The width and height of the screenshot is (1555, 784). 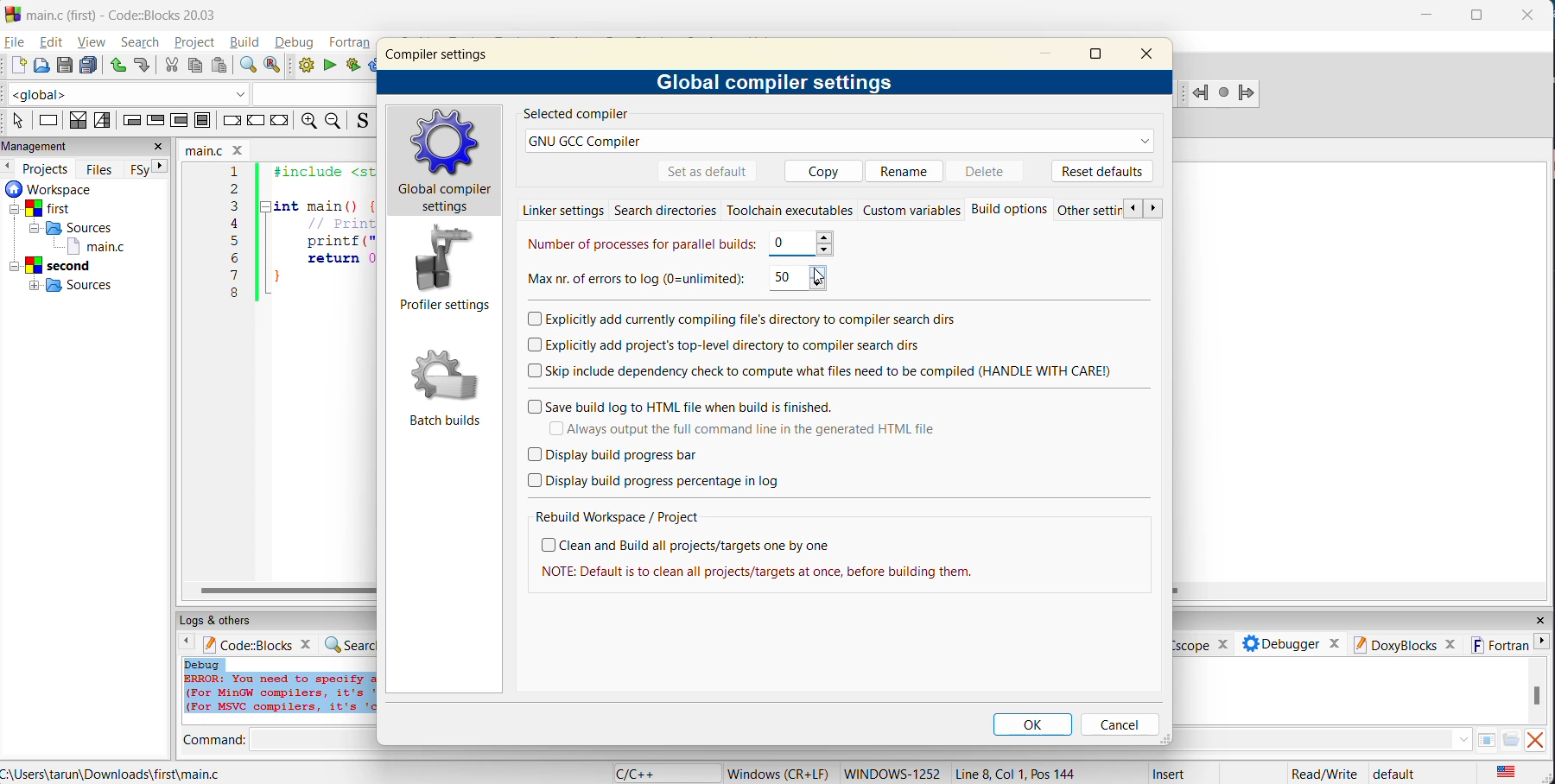 What do you see at coordinates (1127, 208) in the screenshot?
I see `previous` at bounding box center [1127, 208].